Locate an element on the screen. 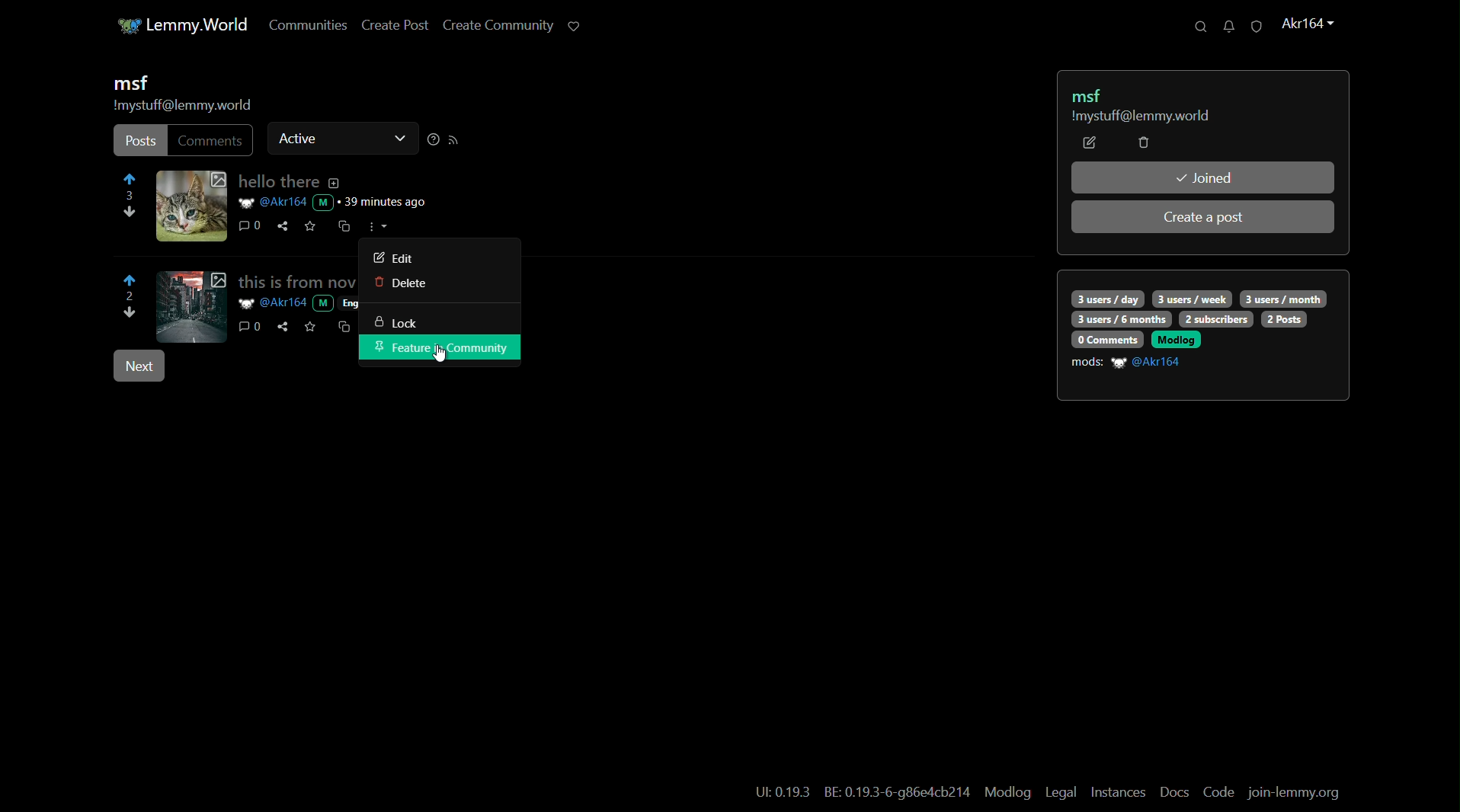 This screenshot has height=812, width=1460. post title is located at coordinates (277, 183).